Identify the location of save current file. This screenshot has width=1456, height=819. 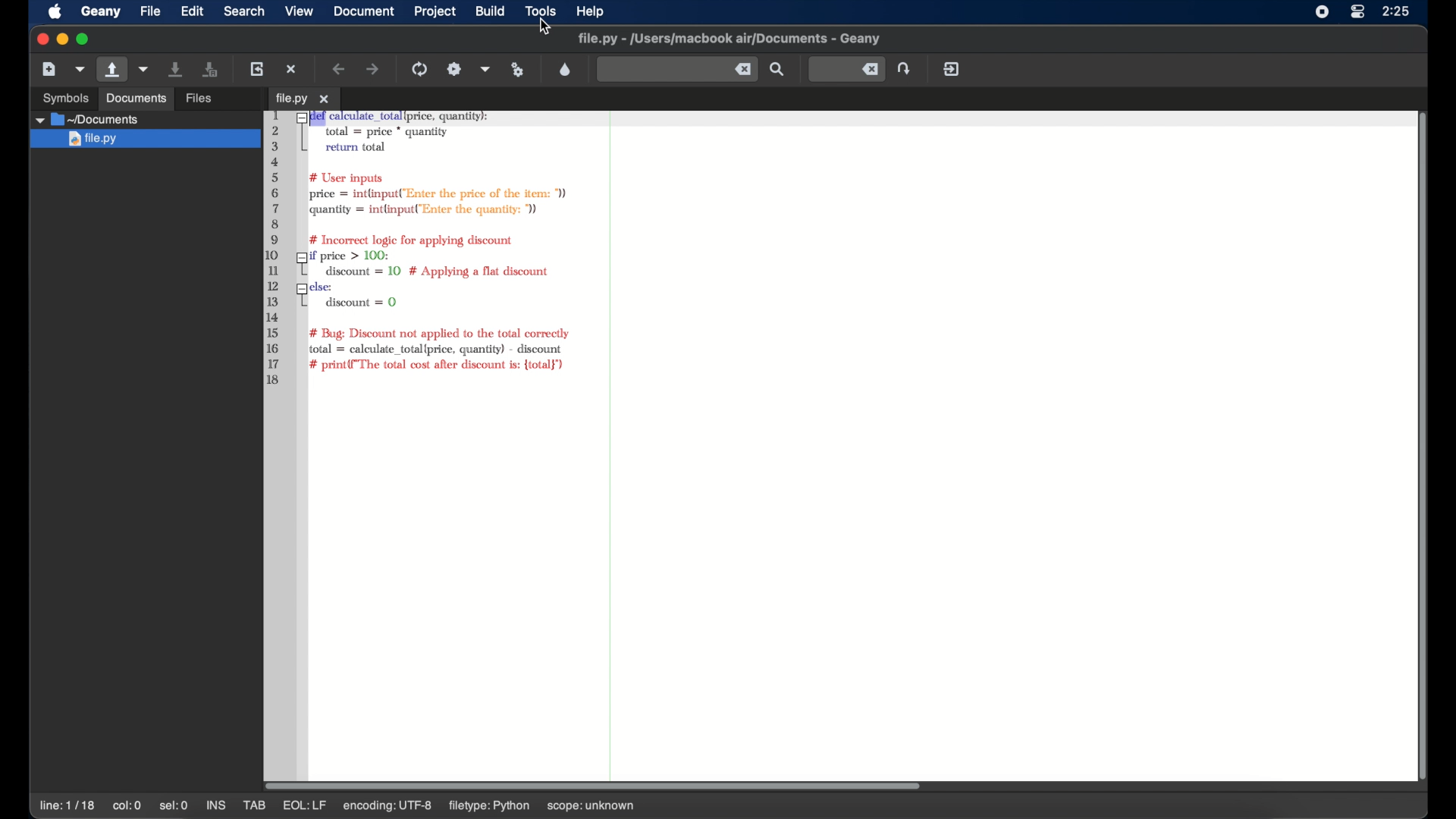
(177, 68).